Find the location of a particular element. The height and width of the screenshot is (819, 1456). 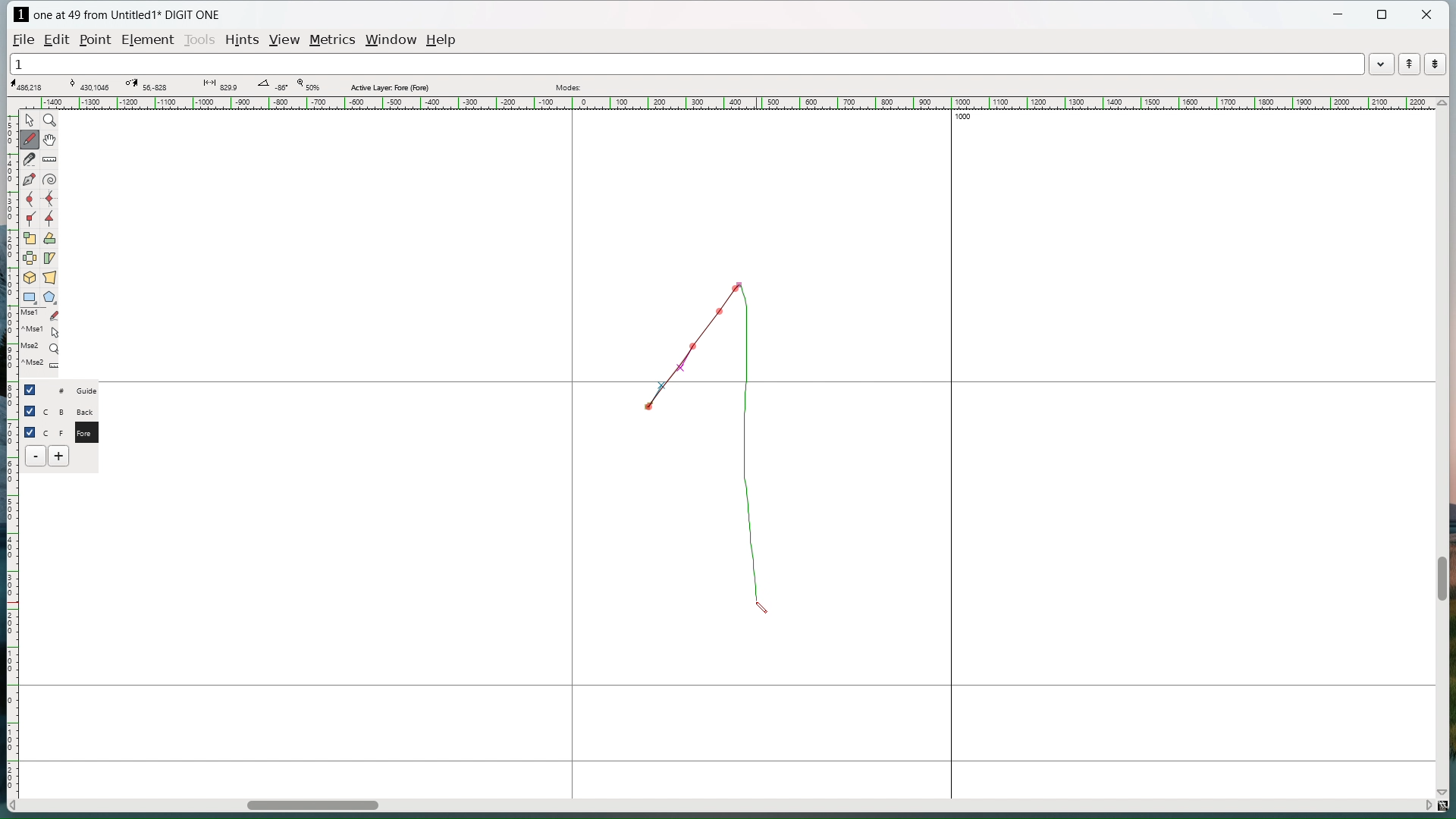

logo is located at coordinates (20, 14).